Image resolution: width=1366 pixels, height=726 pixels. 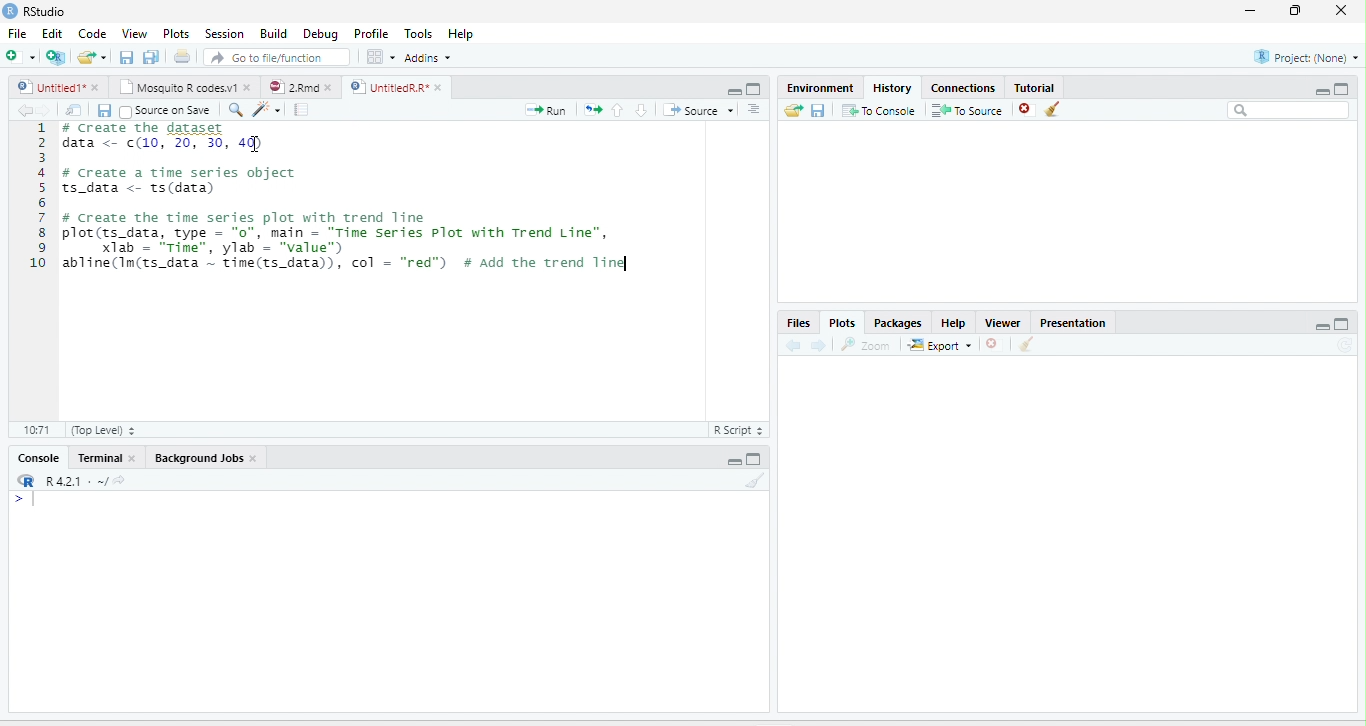 I want to click on Next plot, so click(x=818, y=345).